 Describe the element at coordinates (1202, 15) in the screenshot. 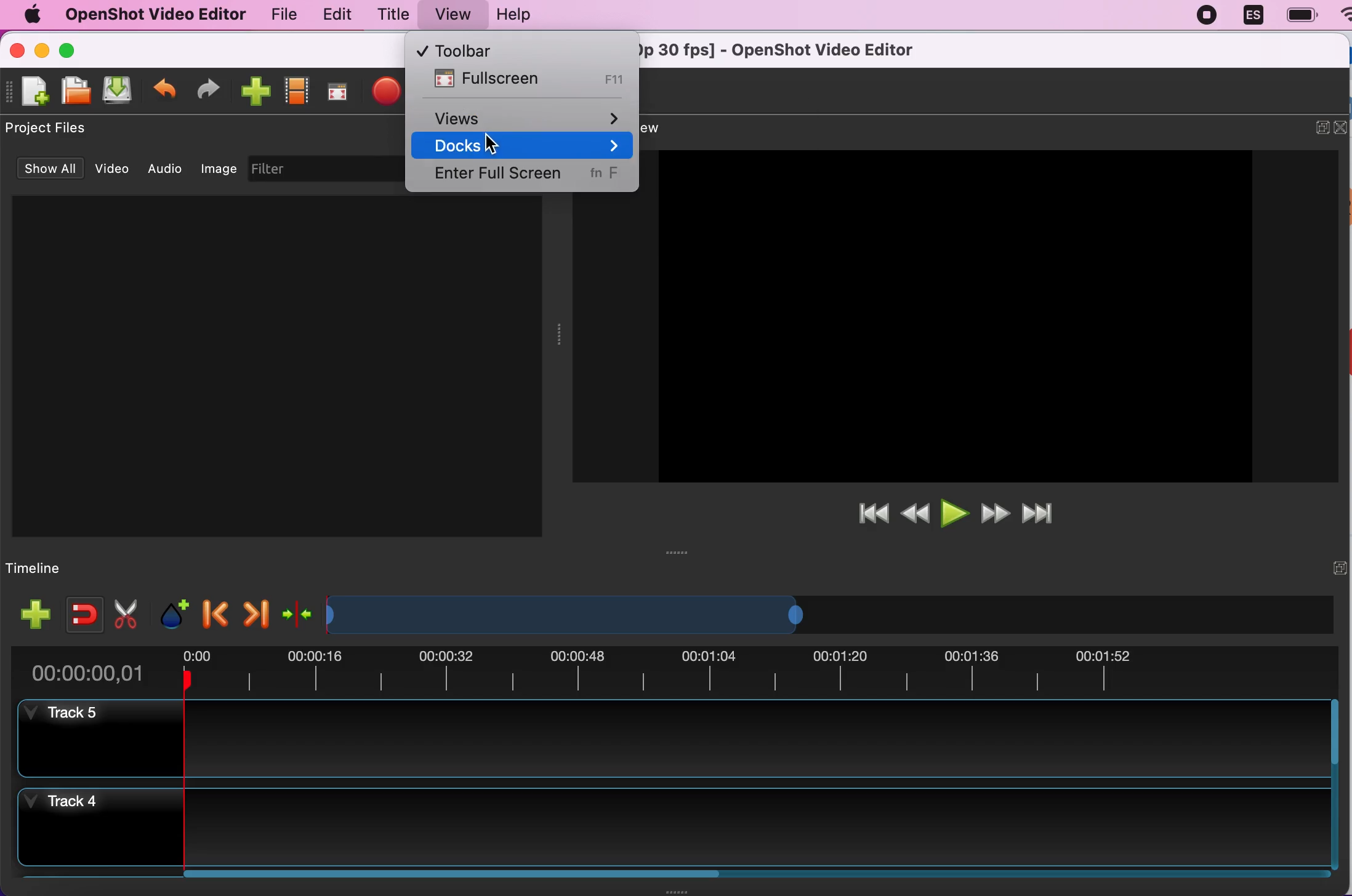

I see `recording stopped` at that location.